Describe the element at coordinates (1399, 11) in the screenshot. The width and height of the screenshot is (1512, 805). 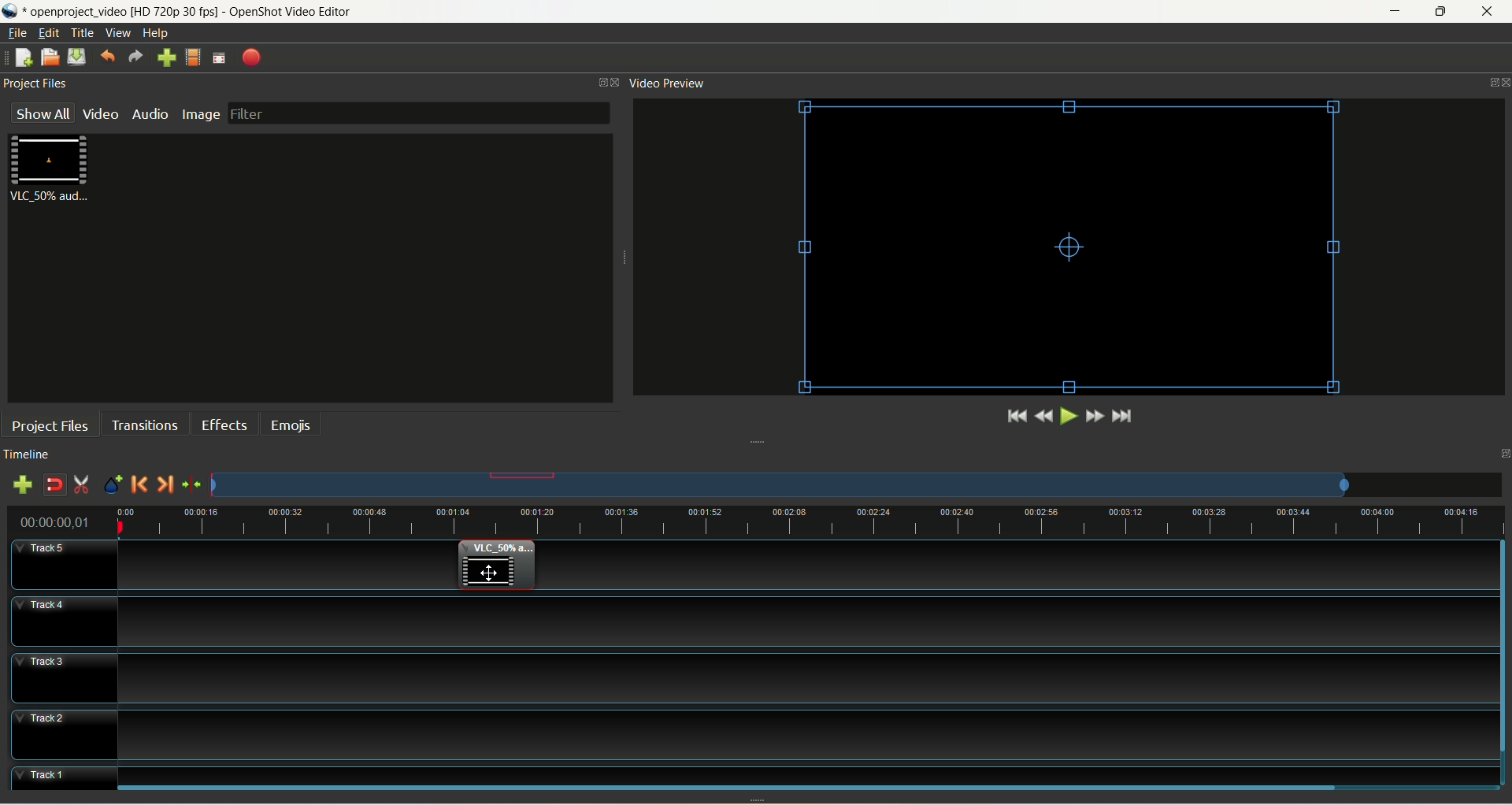
I see `minimize` at that location.